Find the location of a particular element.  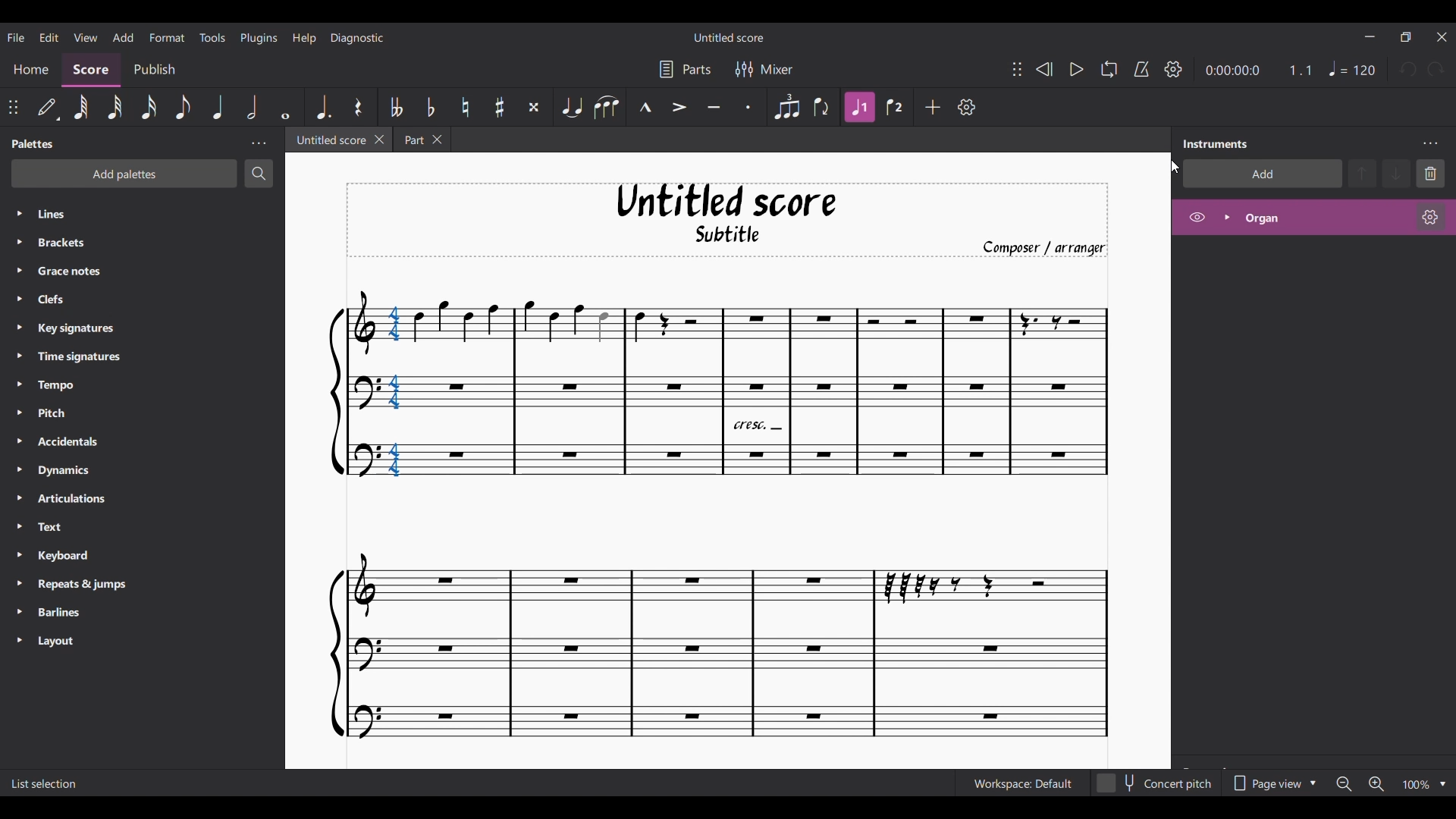

Current workspace setting is located at coordinates (1022, 784).